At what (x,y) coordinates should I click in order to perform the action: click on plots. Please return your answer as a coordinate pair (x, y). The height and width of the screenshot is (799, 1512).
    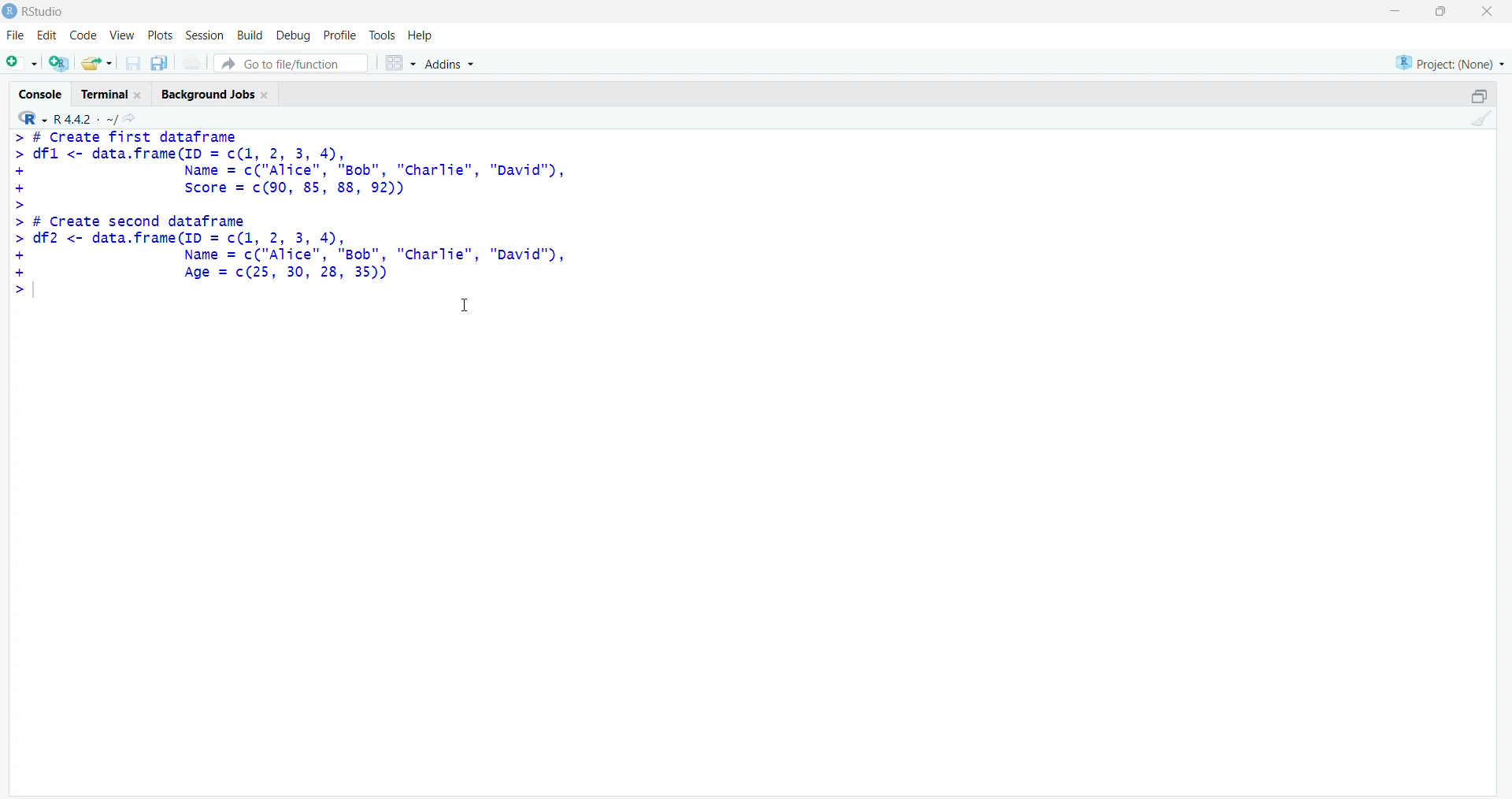
    Looking at the image, I should click on (162, 36).